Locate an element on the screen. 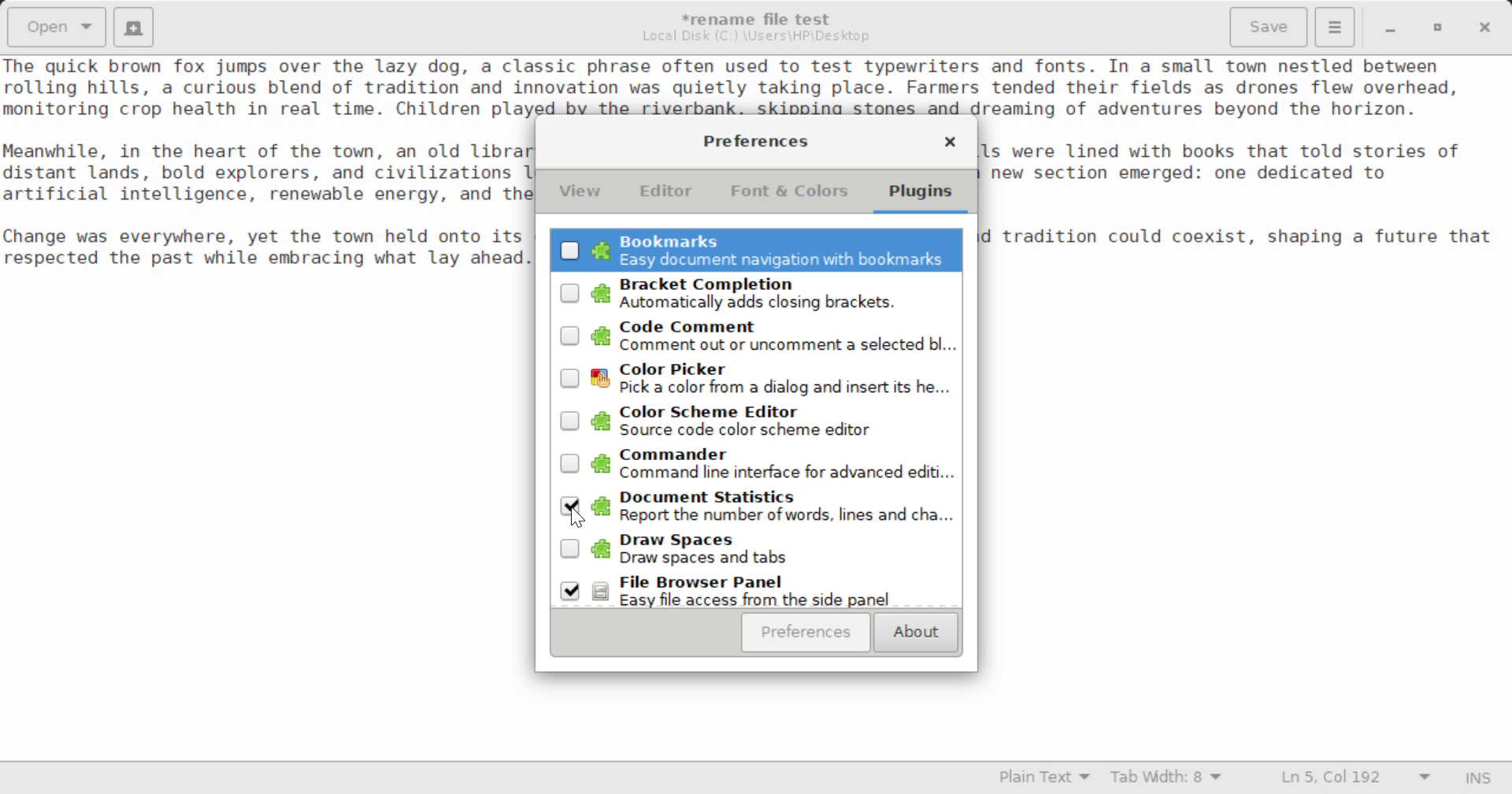  Unselected Color Scheme Editor Plugin is located at coordinates (756, 422).